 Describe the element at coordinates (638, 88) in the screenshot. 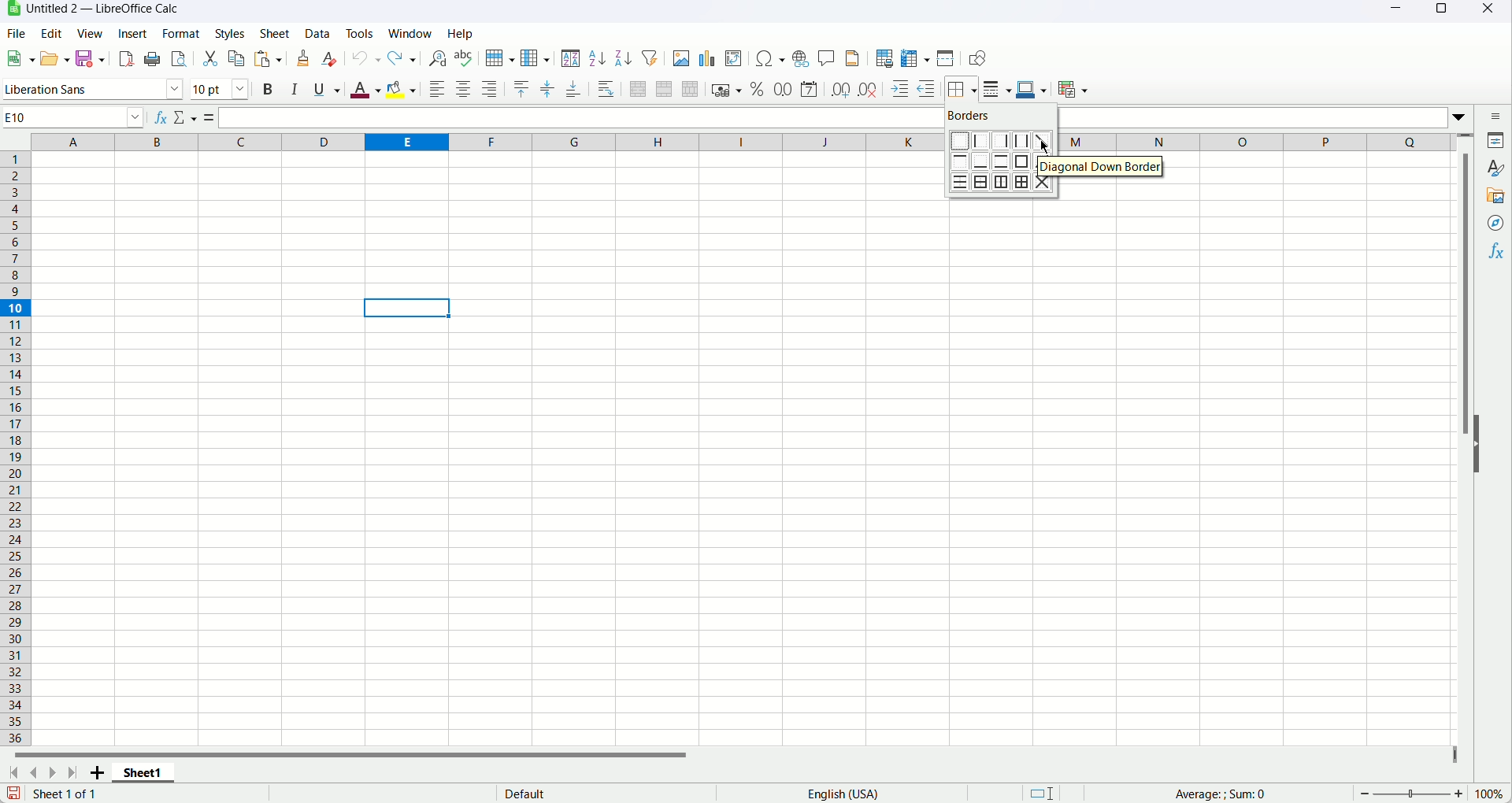

I see `Merge and center` at that location.